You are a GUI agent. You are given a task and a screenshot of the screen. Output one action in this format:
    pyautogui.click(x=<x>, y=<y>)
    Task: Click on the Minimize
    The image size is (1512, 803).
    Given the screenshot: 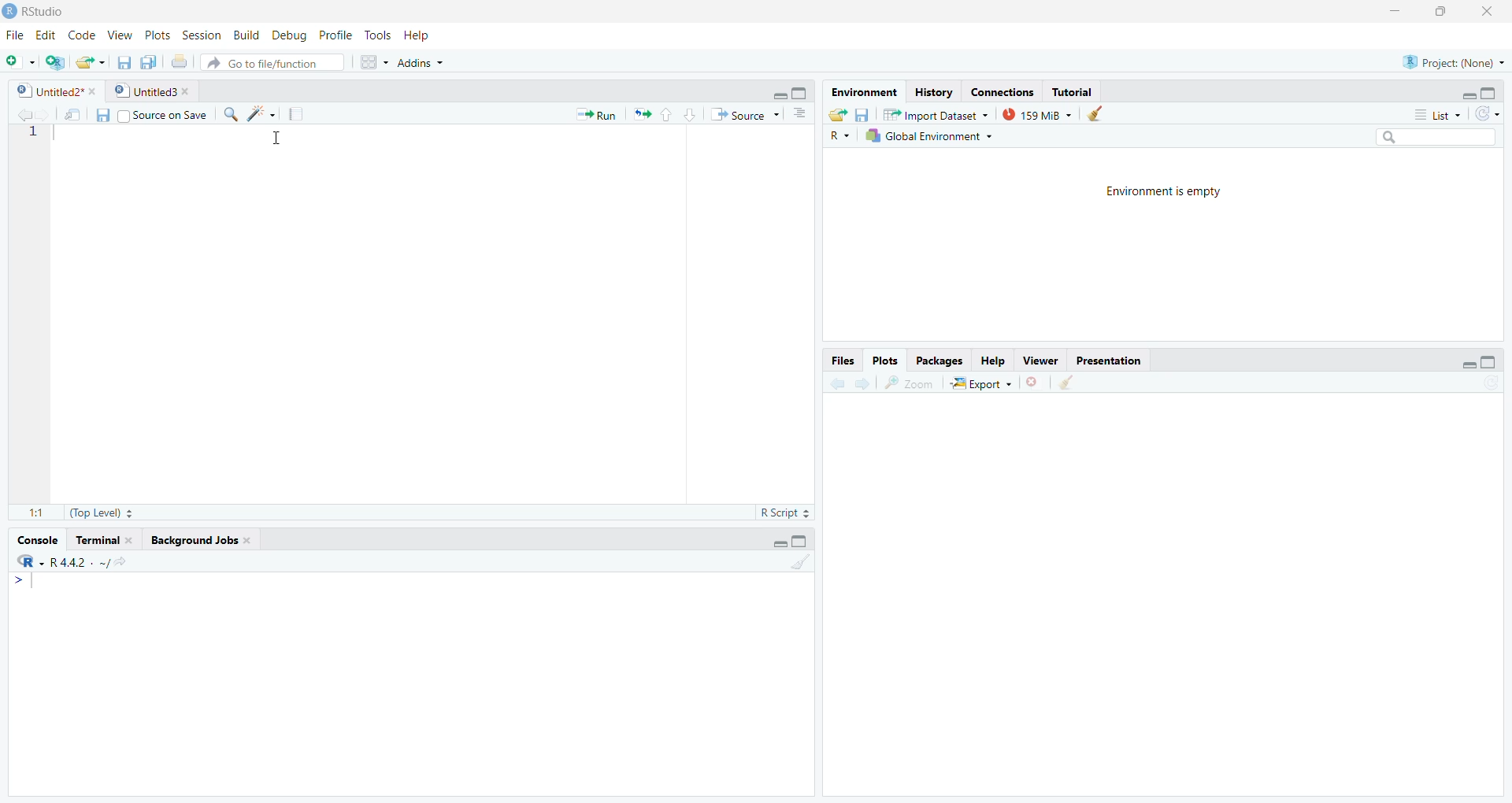 What is the action you would take?
    pyautogui.click(x=780, y=93)
    